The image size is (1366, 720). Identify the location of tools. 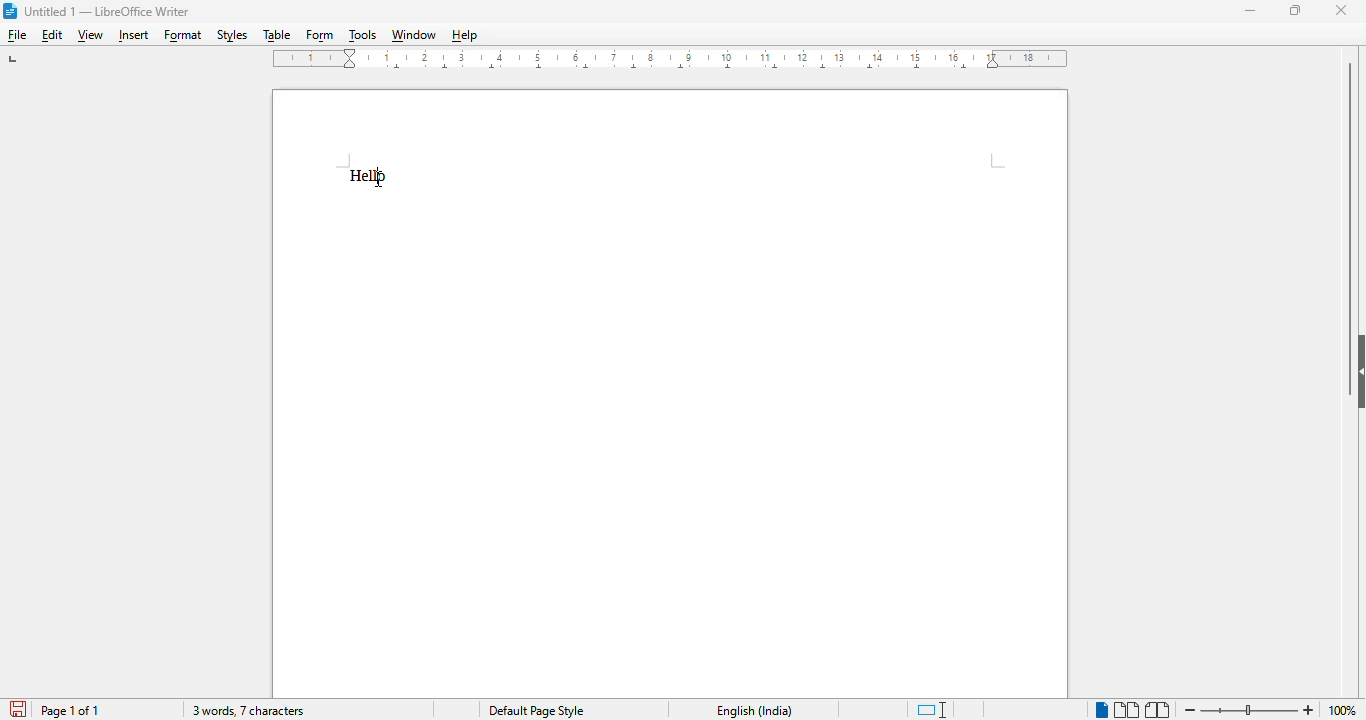
(363, 35).